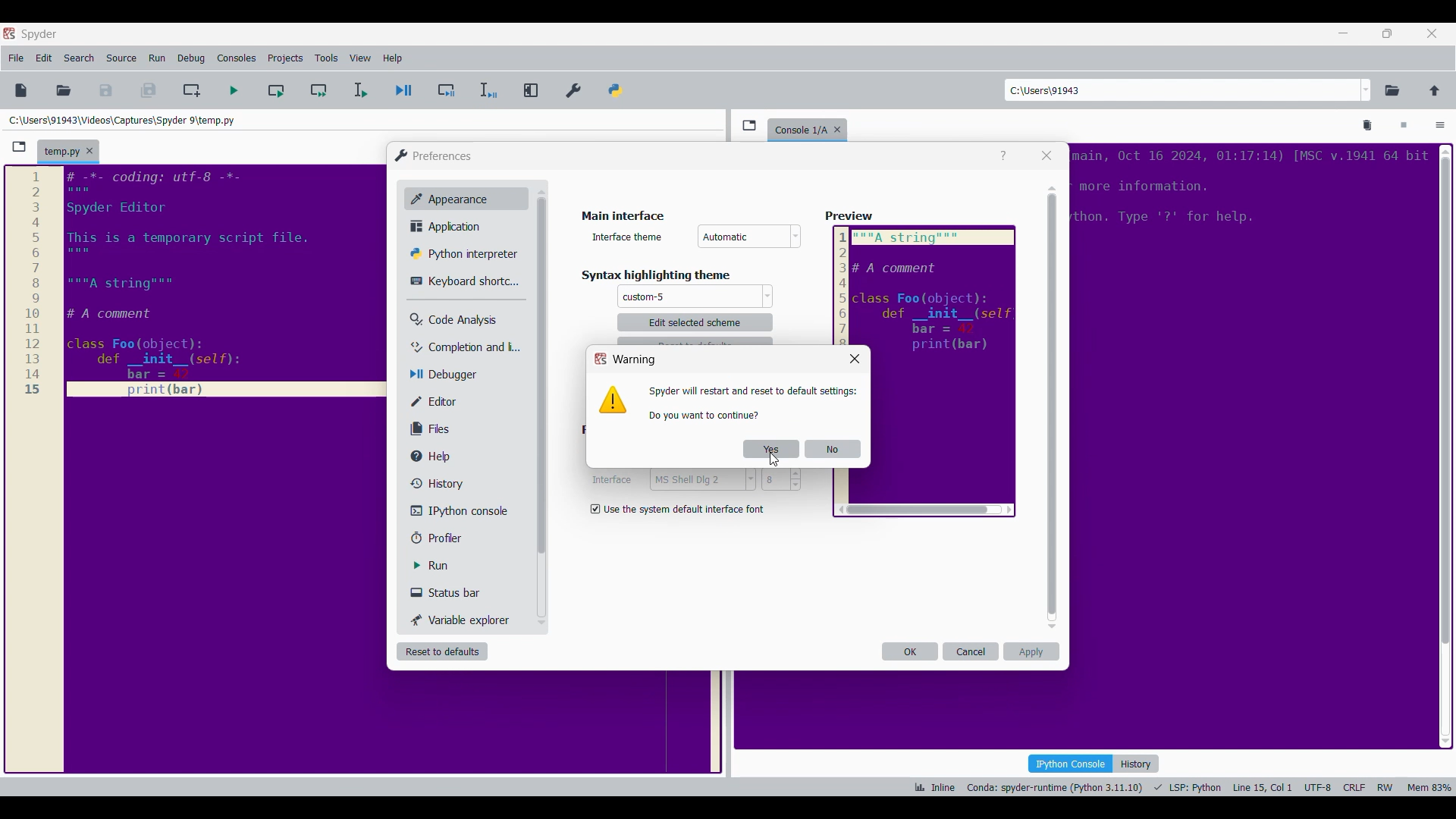  What do you see at coordinates (466, 281) in the screenshot?
I see `Keyboard shortcuts` at bounding box center [466, 281].